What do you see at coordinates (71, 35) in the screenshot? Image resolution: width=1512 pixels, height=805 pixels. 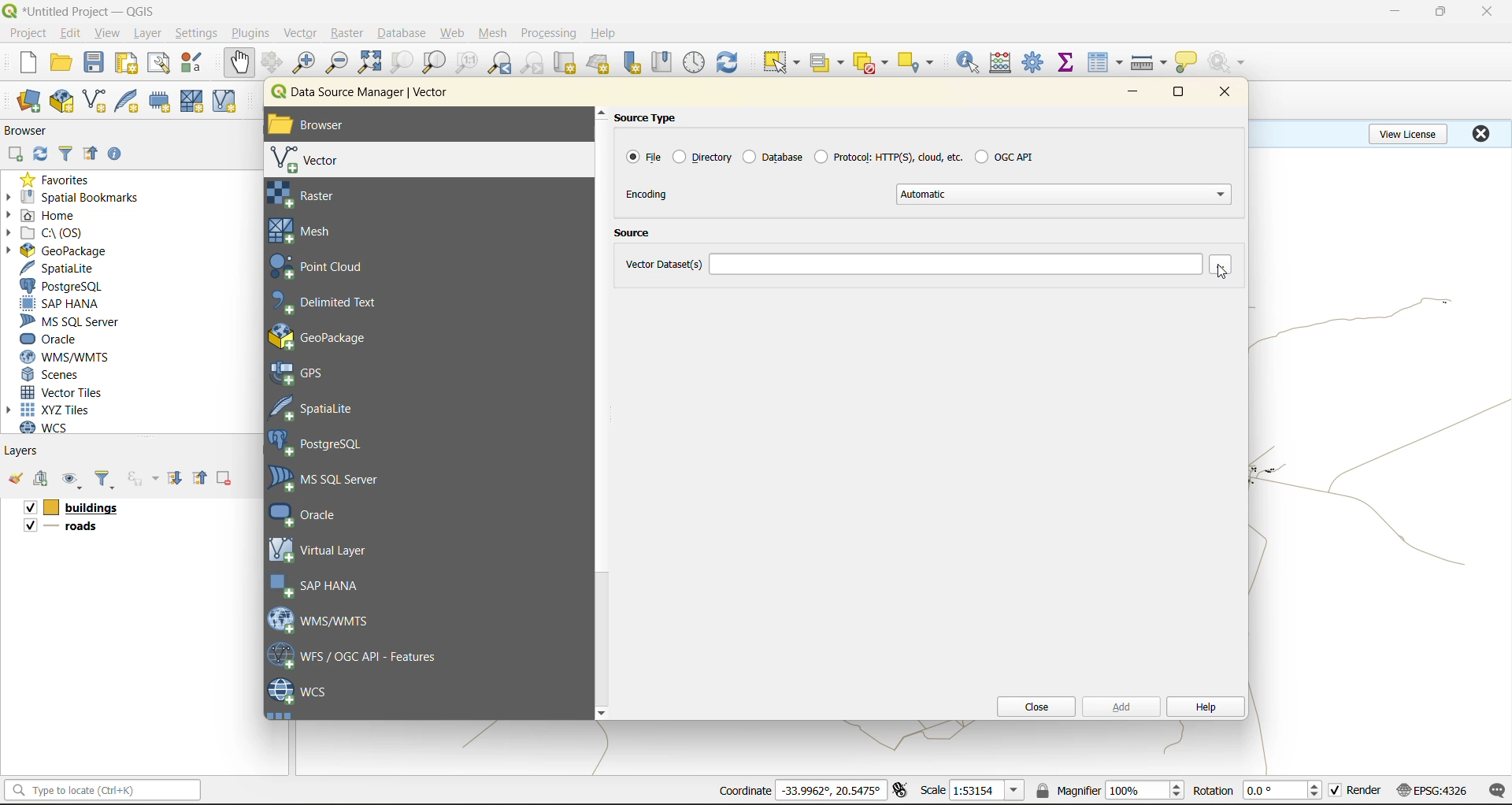 I see `edit` at bounding box center [71, 35].